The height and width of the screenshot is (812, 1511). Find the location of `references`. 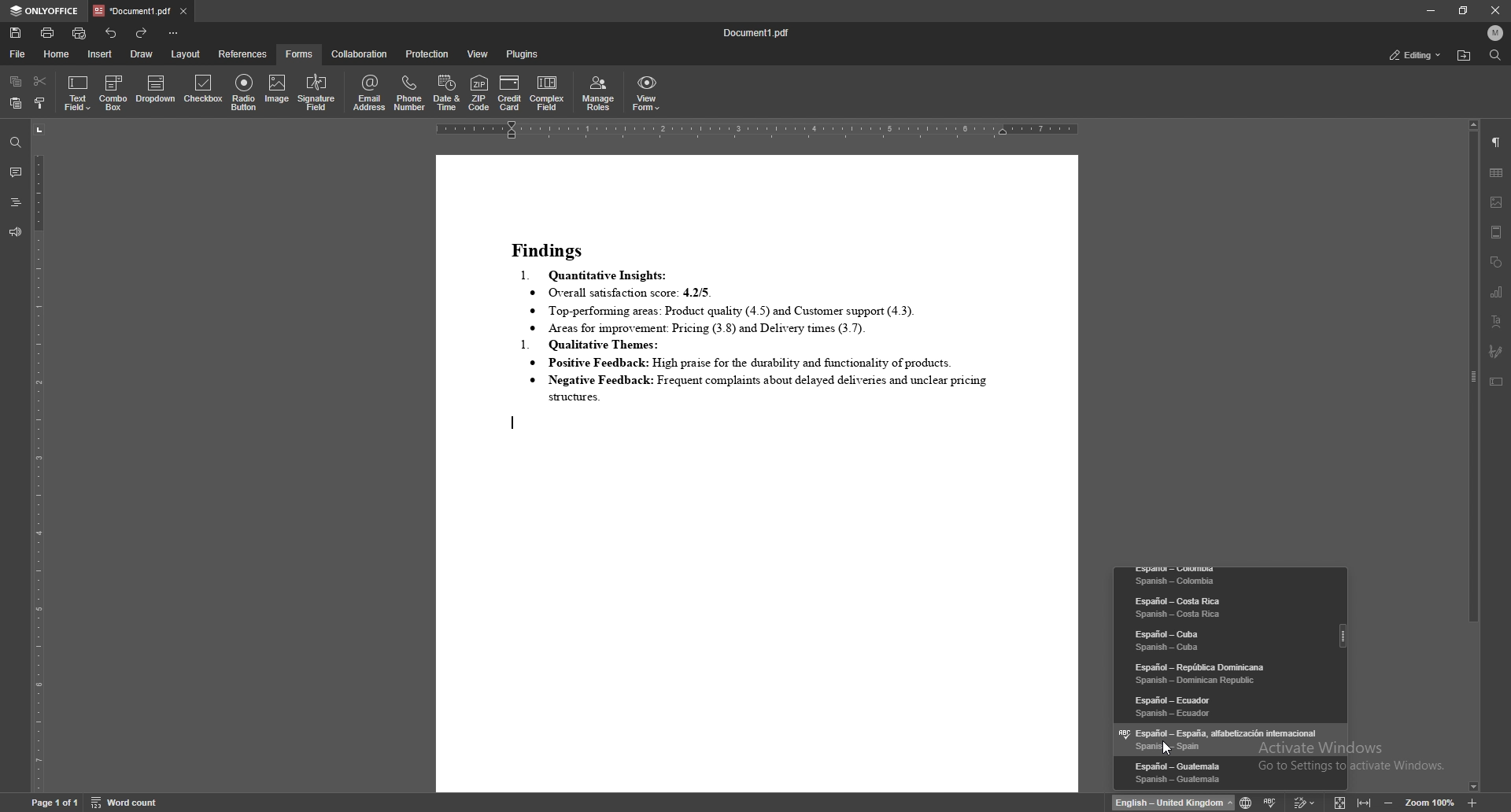

references is located at coordinates (244, 54).